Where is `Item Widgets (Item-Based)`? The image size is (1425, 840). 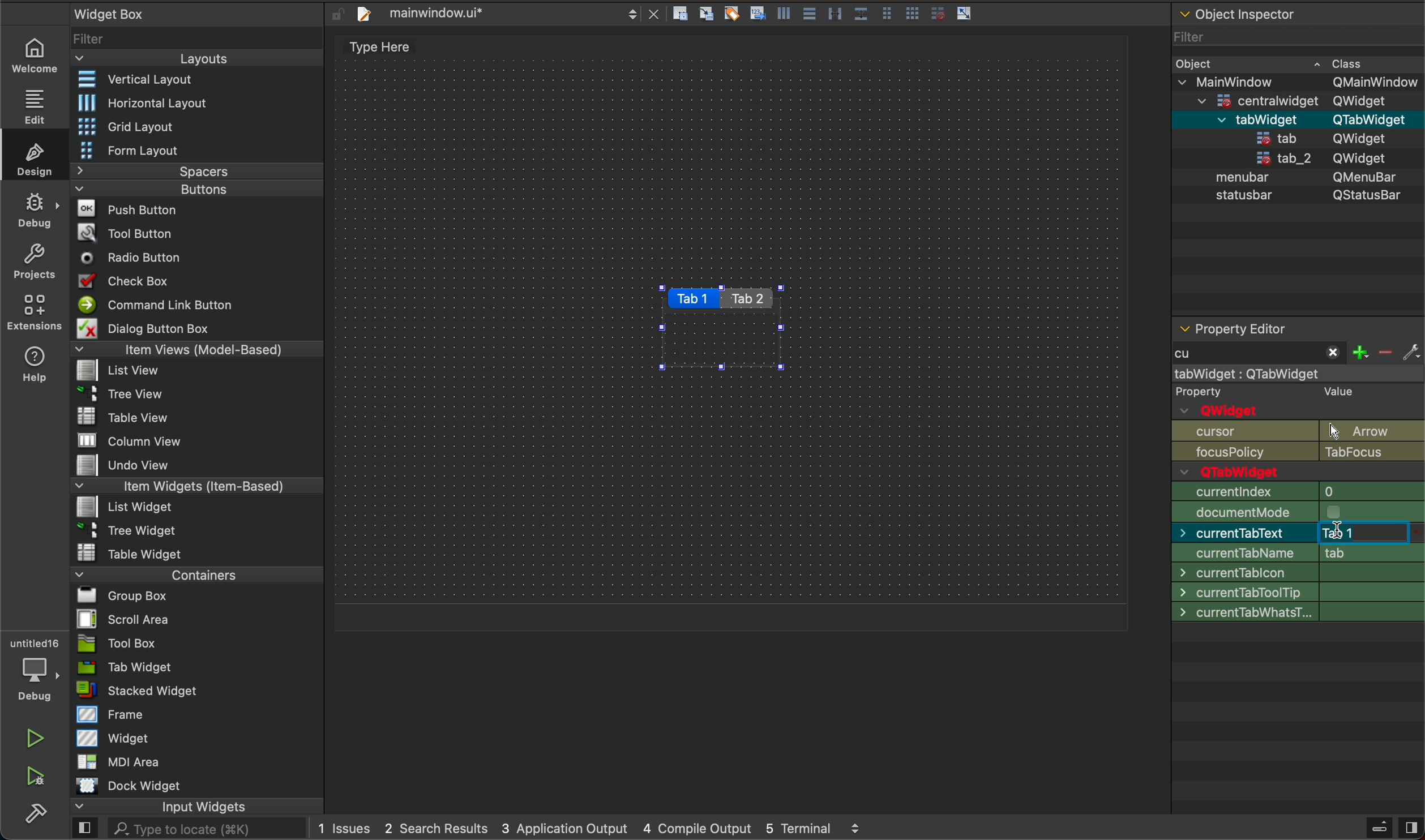 Item Widgets (Item-Based) is located at coordinates (198, 486).